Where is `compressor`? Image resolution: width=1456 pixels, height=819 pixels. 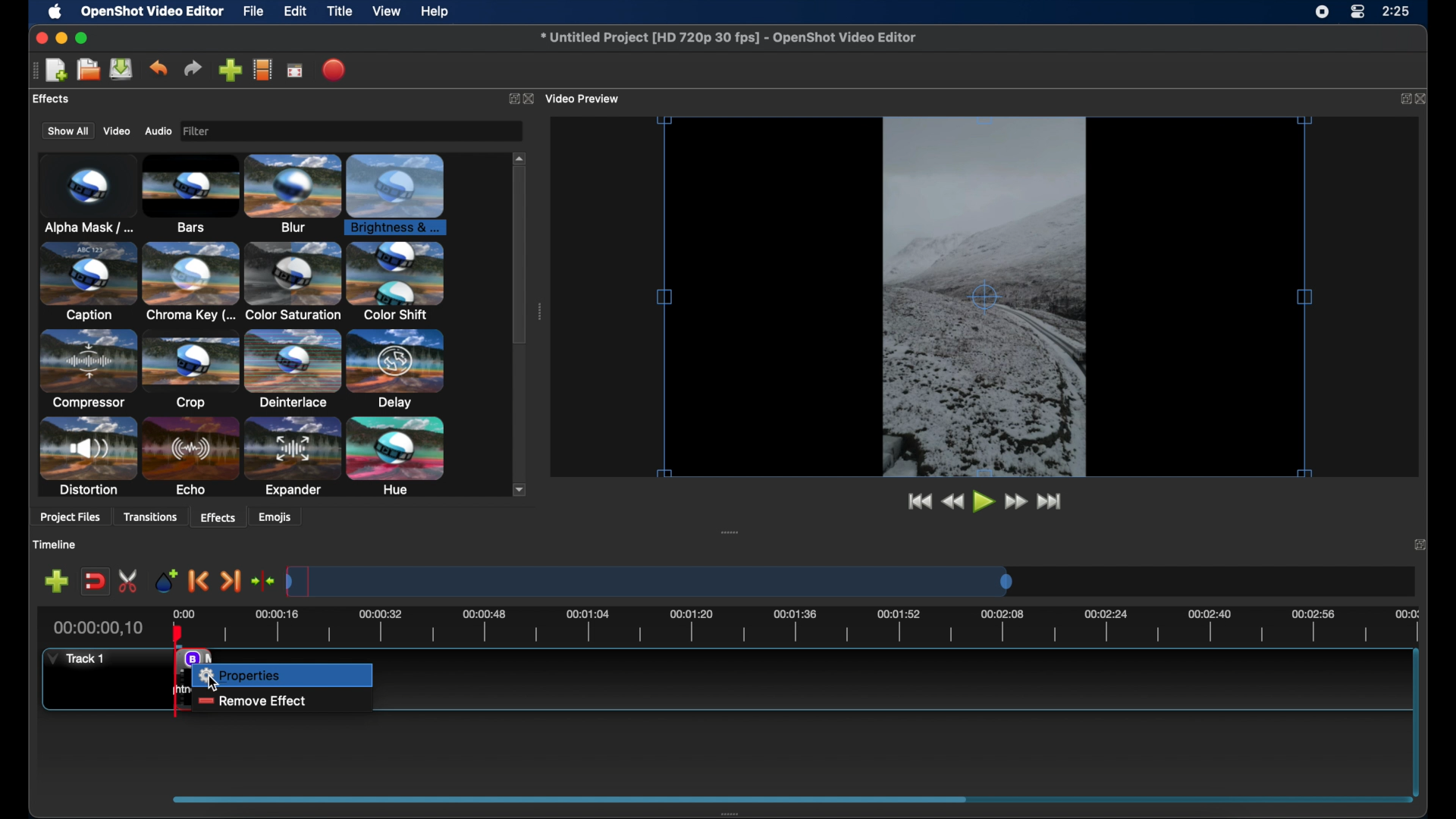
compressor is located at coordinates (86, 369).